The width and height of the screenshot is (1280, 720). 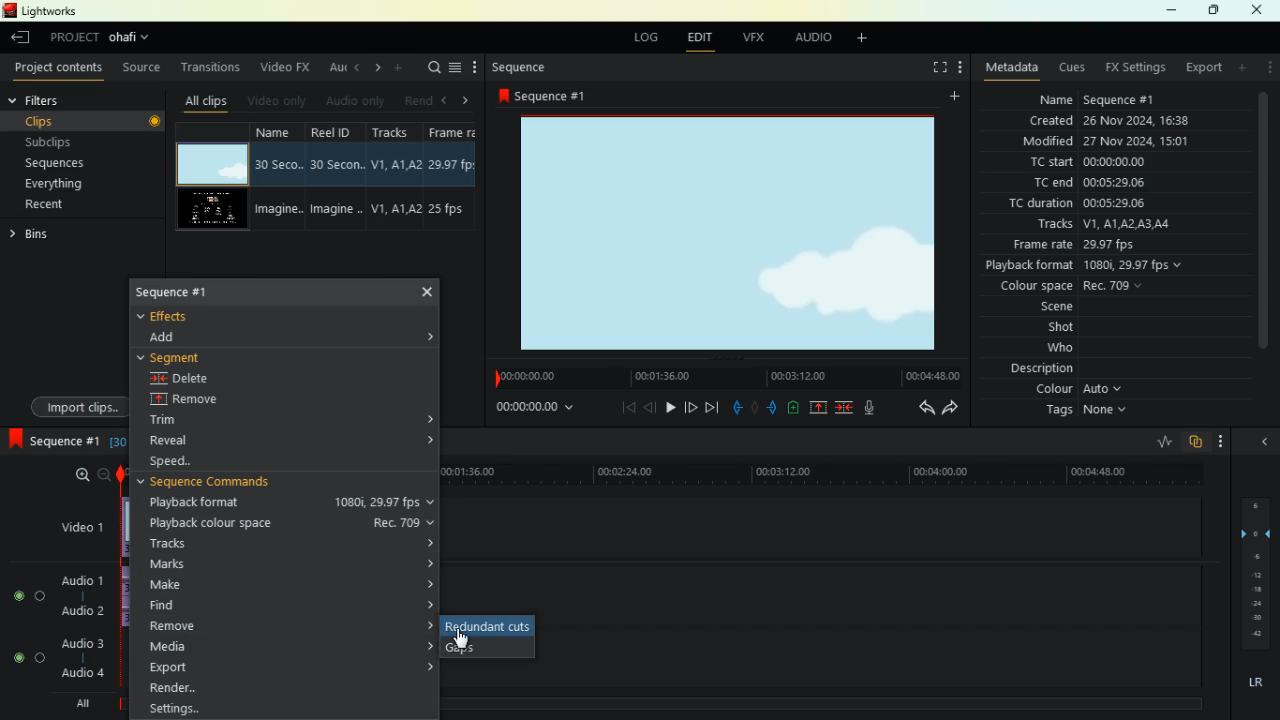 What do you see at coordinates (357, 100) in the screenshot?
I see `audio only` at bounding box center [357, 100].